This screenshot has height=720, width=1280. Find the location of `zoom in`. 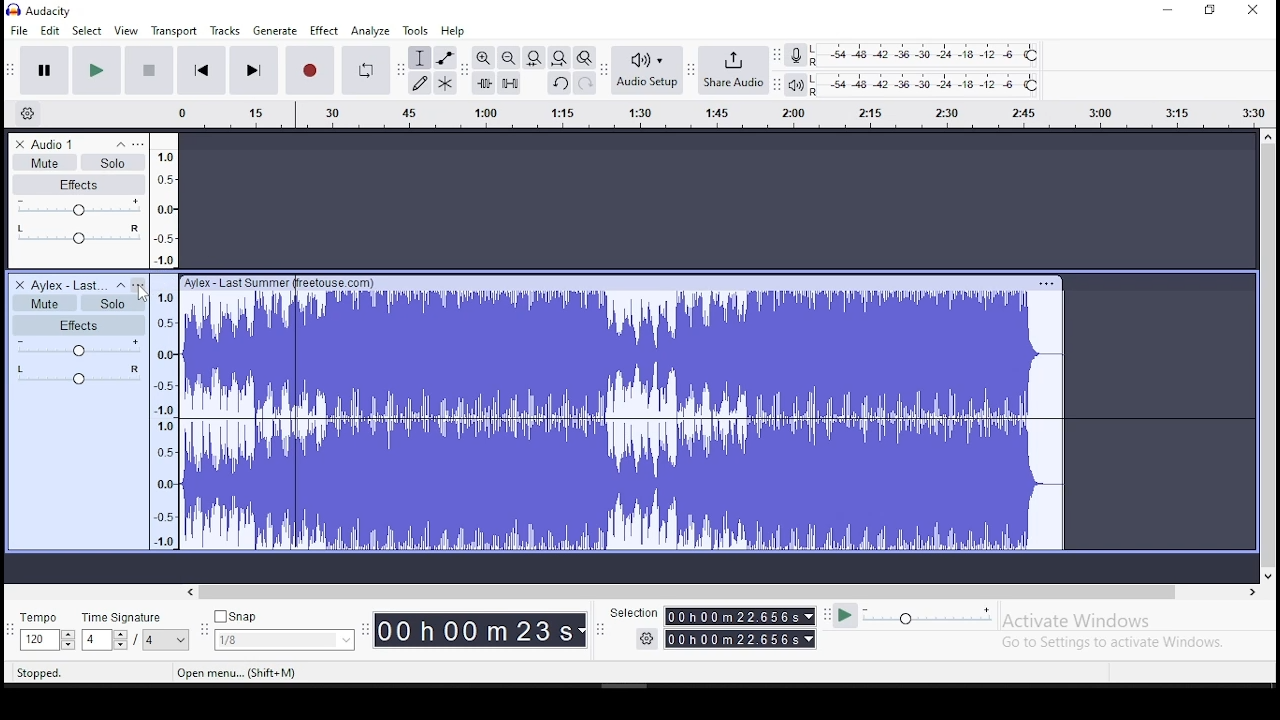

zoom in is located at coordinates (482, 58).